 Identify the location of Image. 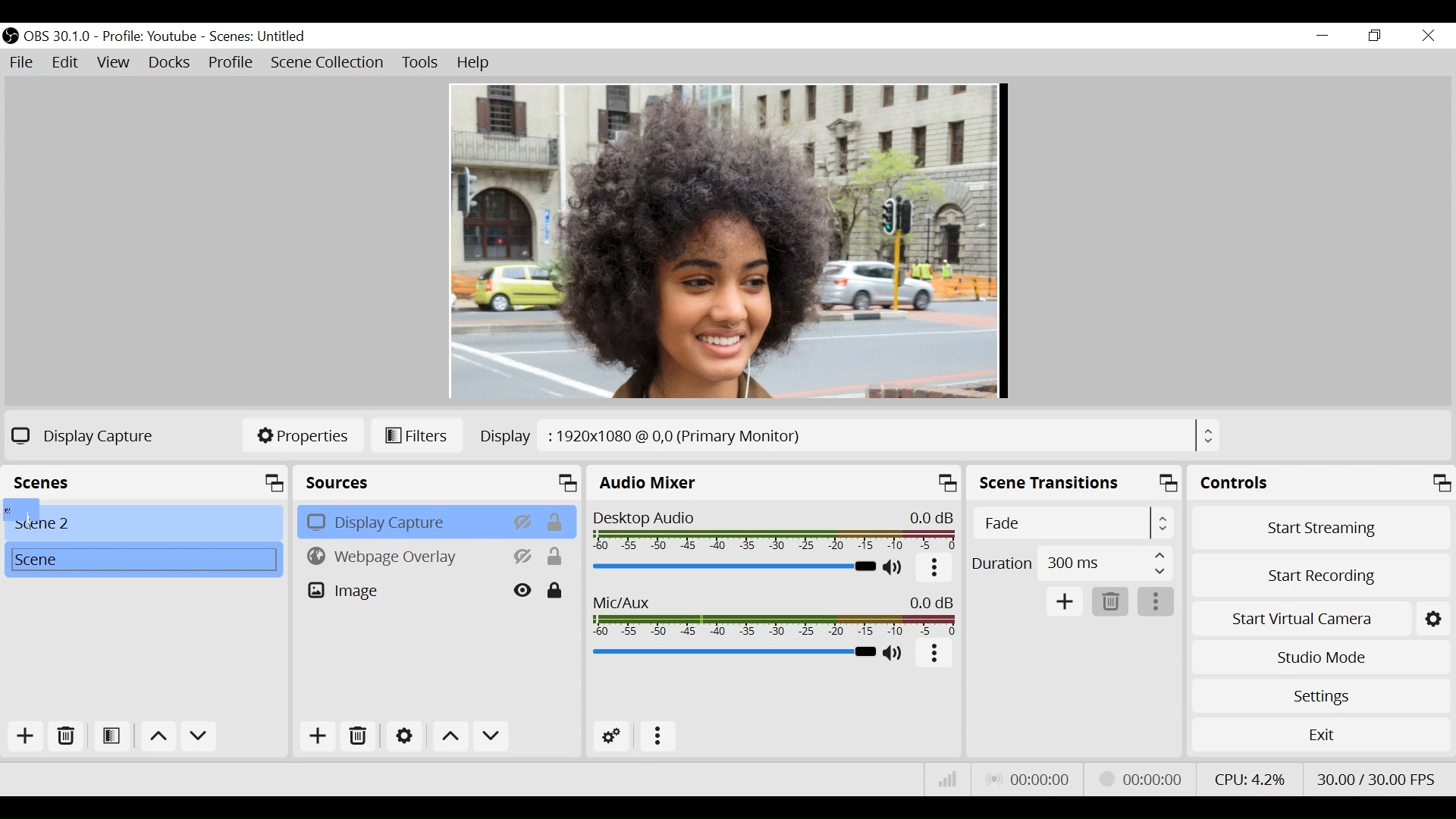
(403, 589).